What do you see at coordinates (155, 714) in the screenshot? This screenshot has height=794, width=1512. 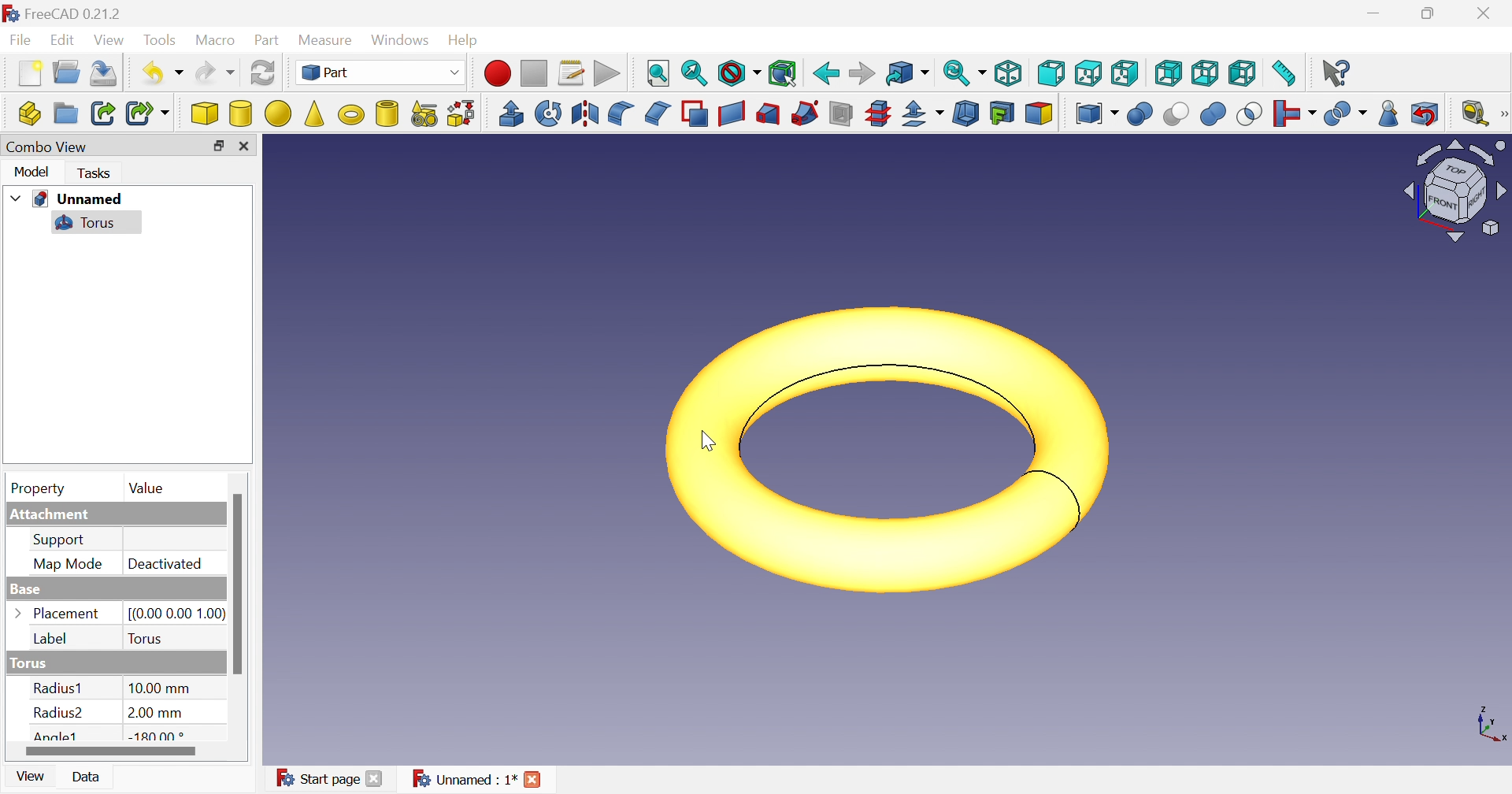 I see `2.00 mm` at bounding box center [155, 714].